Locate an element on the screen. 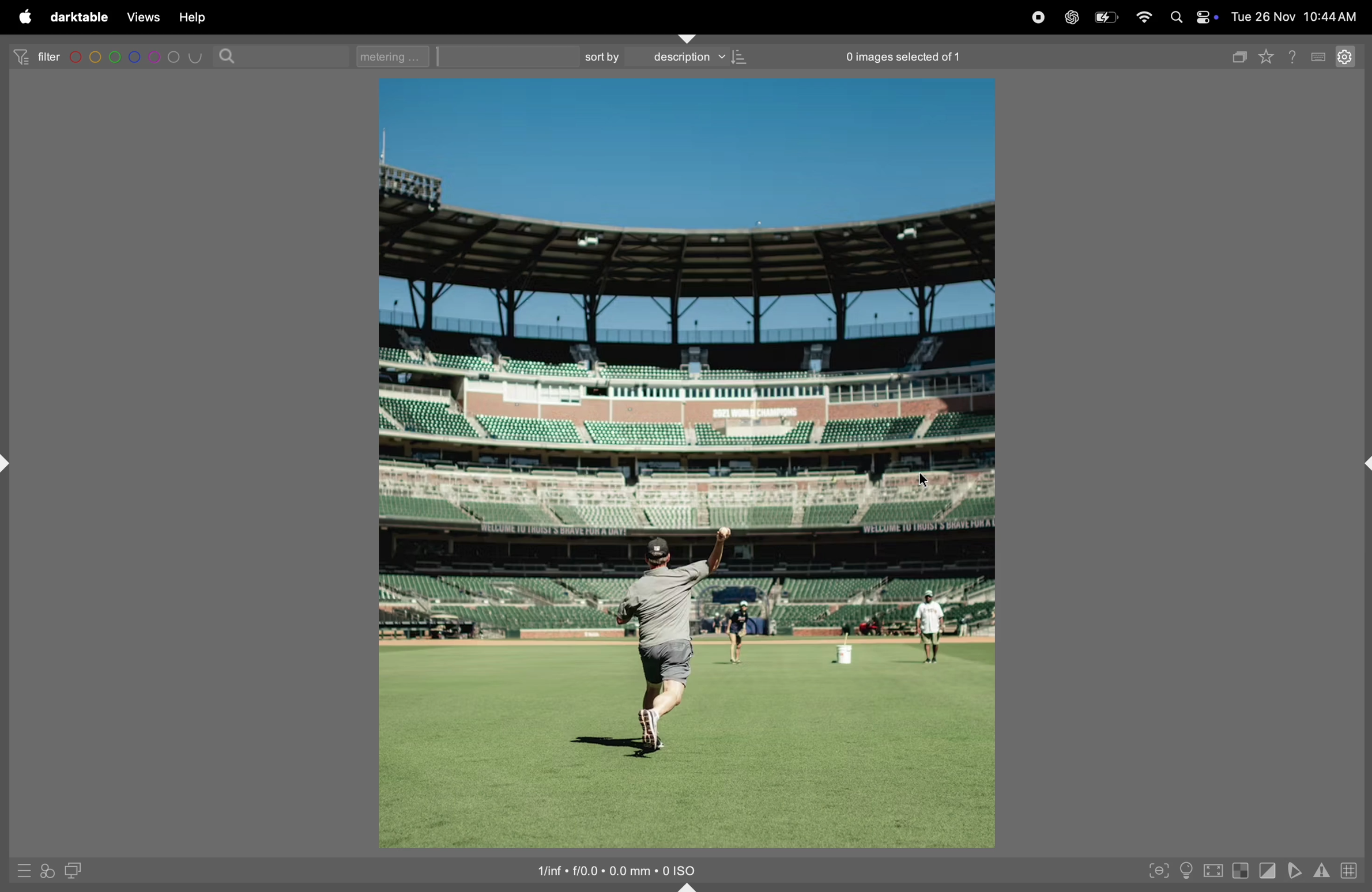 This screenshot has width=1372, height=892. shift+ctrl+t is located at coordinates (687, 37).